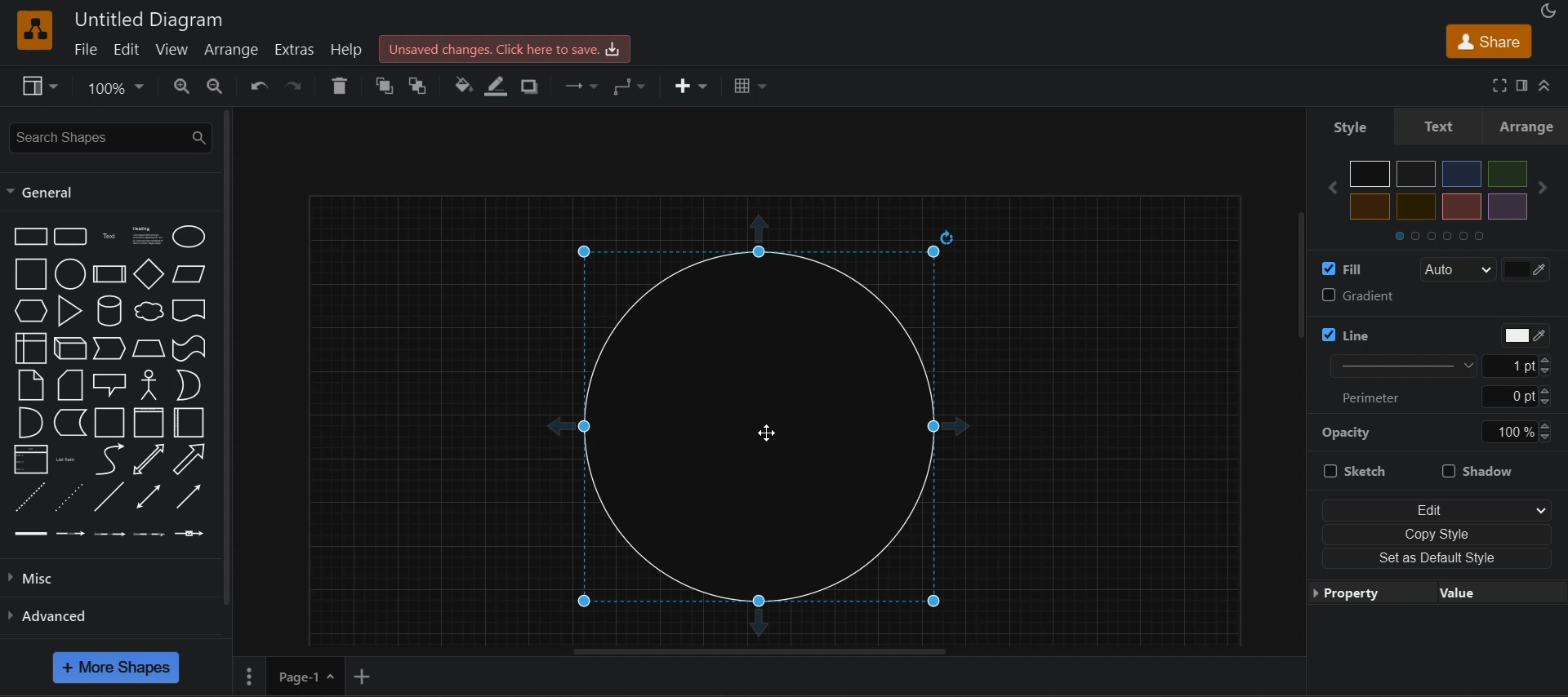 This screenshot has height=697, width=1568. I want to click on bidirectional connector, so click(150, 499).